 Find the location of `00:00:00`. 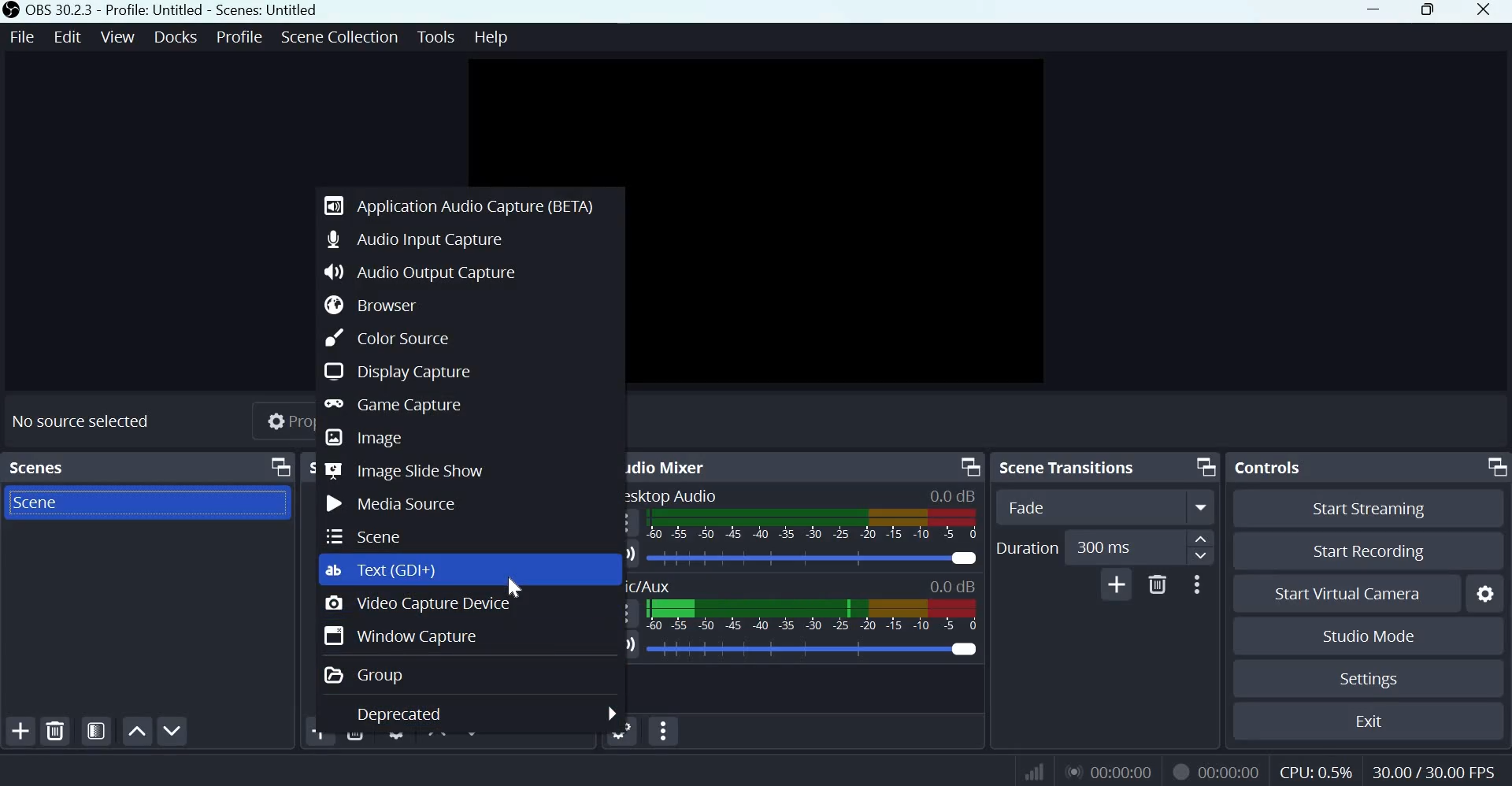

00:00:00 is located at coordinates (1229, 773).